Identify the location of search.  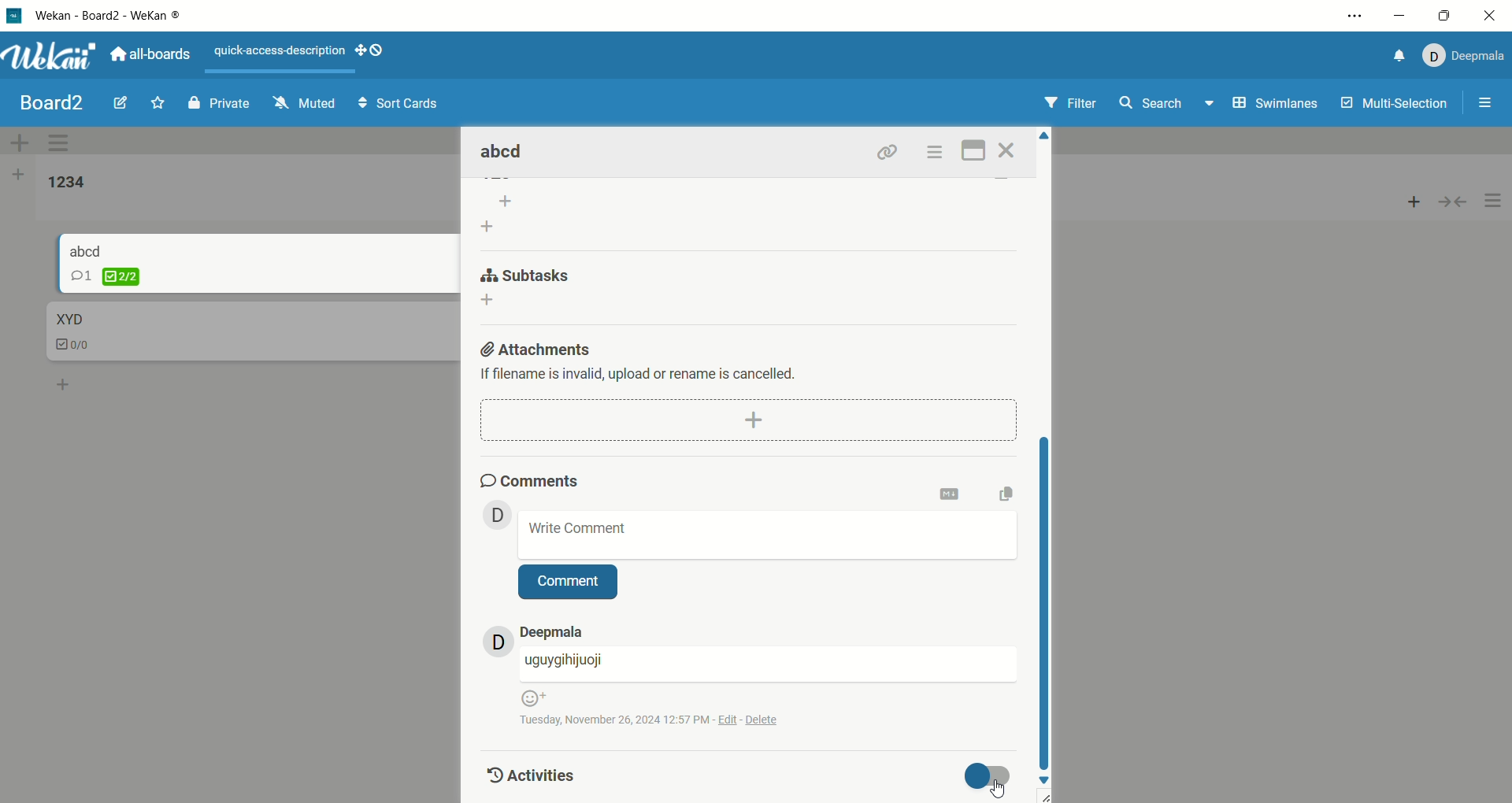
(1168, 105).